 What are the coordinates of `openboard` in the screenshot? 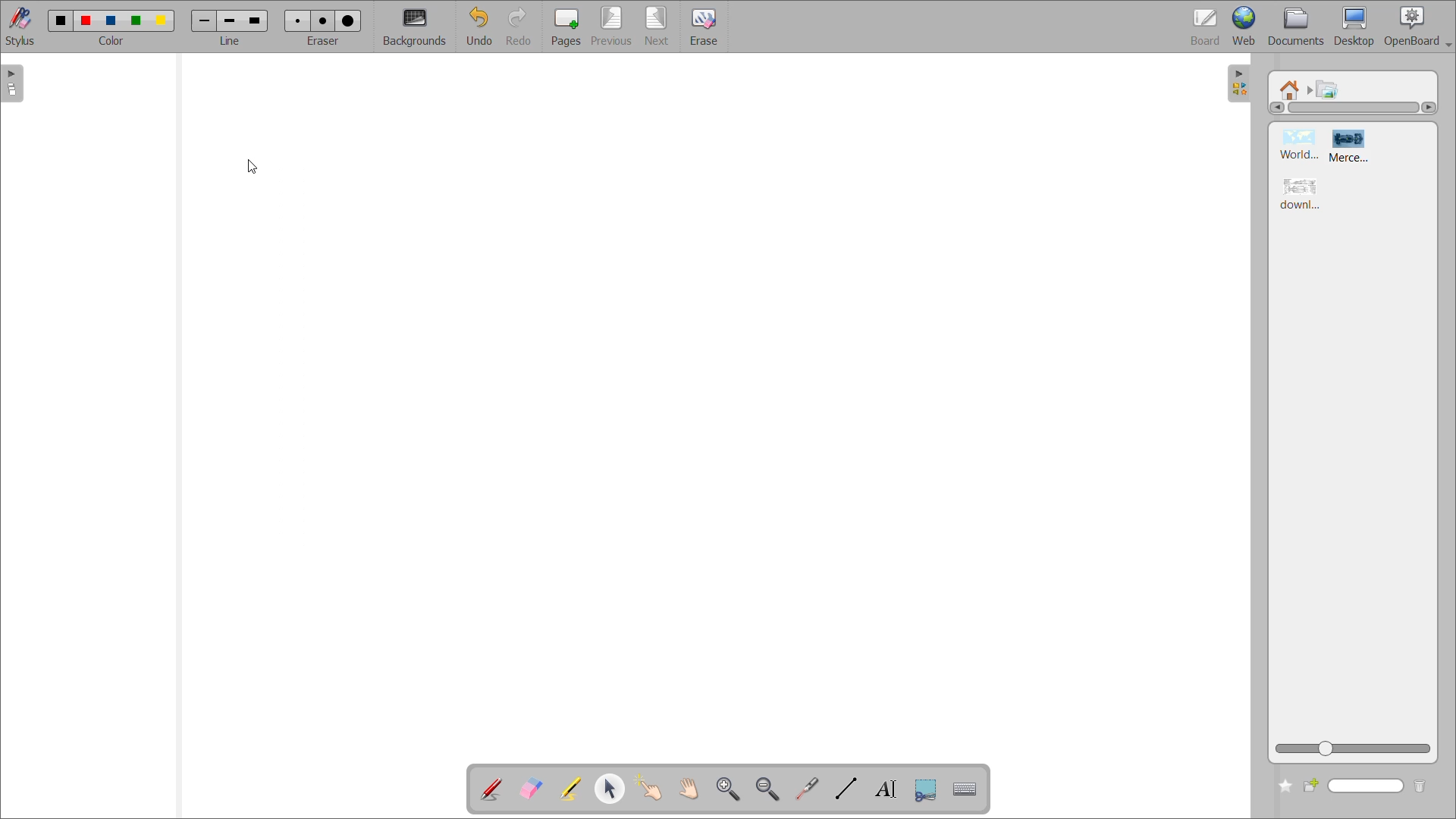 It's located at (1415, 27).